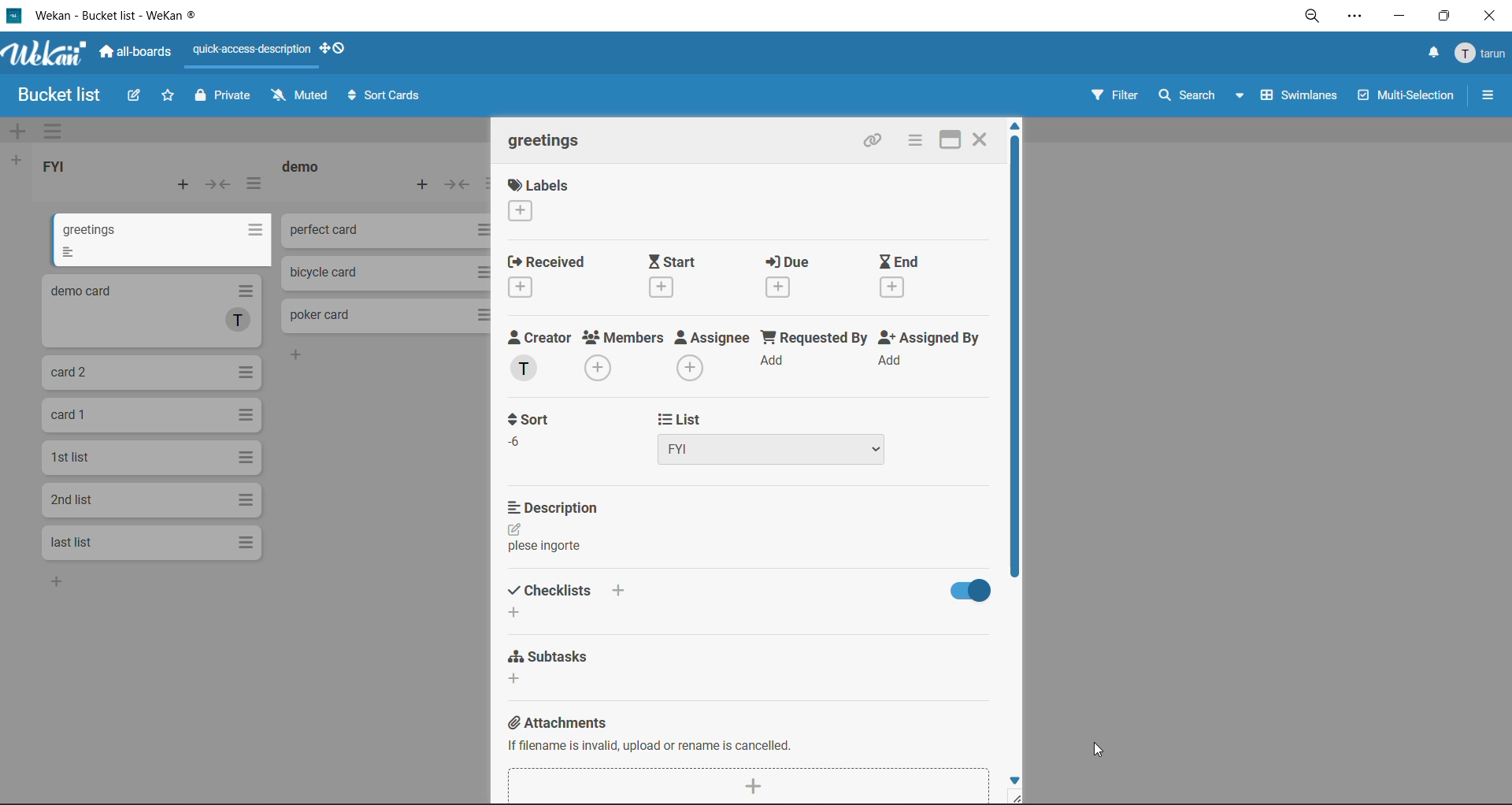 The width and height of the screenshot is (1512, 805). What do you see at coordinates (1111, 95) in the screenshot?
I see `filter` at bounding box center [1111, 95].